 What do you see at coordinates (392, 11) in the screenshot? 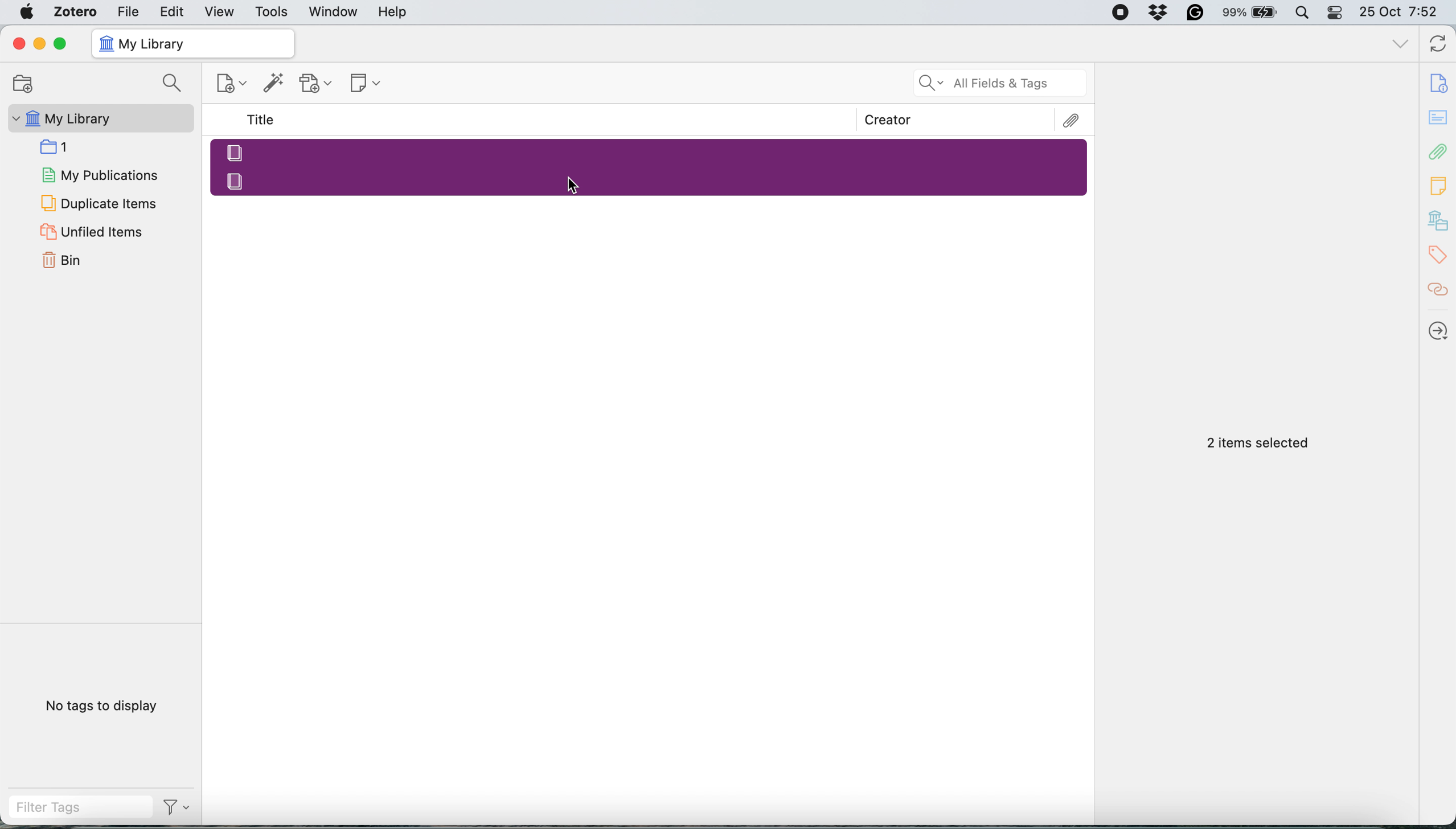
I see `Help` at bounding box center [392, 11].